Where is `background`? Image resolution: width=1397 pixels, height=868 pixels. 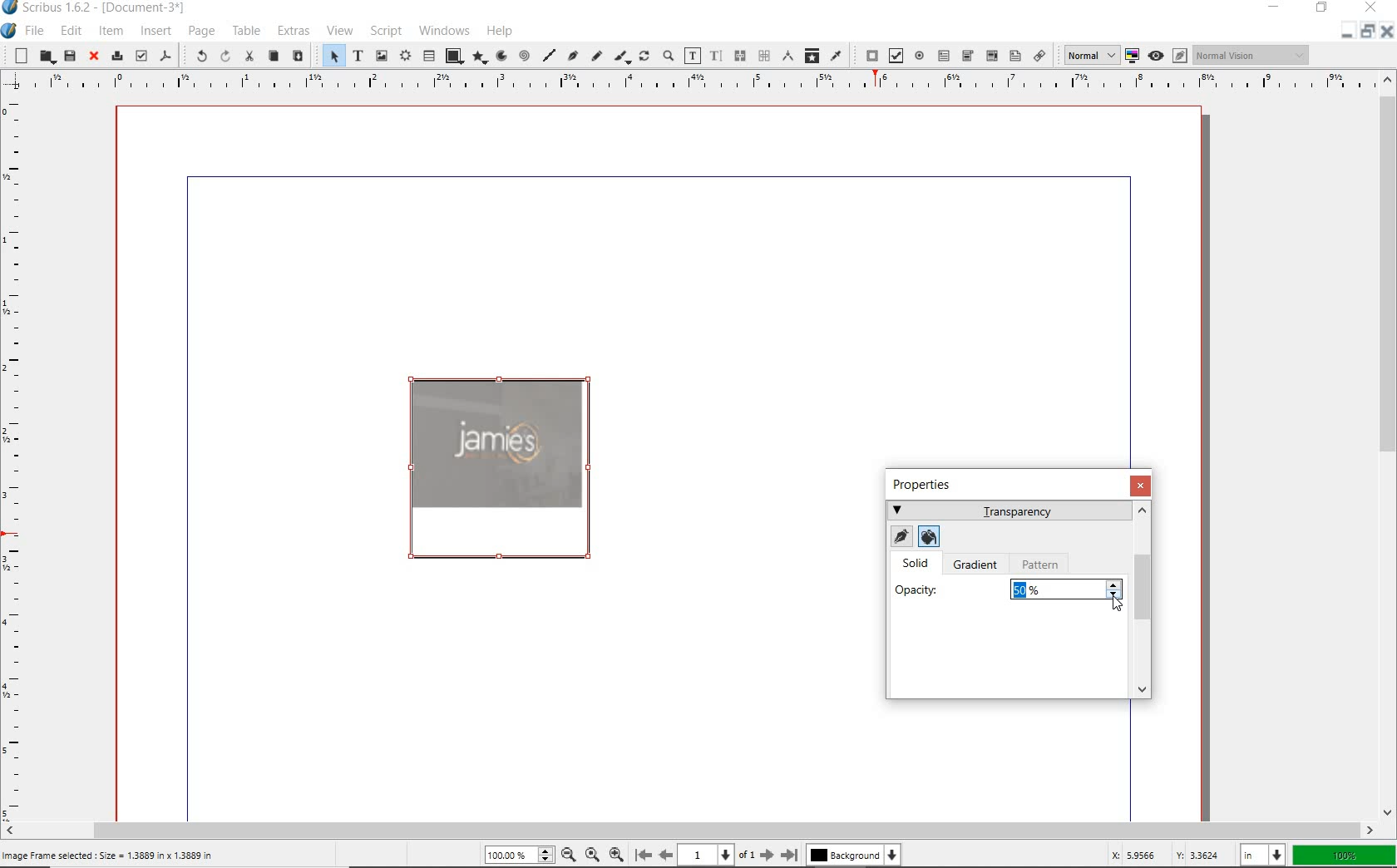 background is located at coordinates (854, 856).